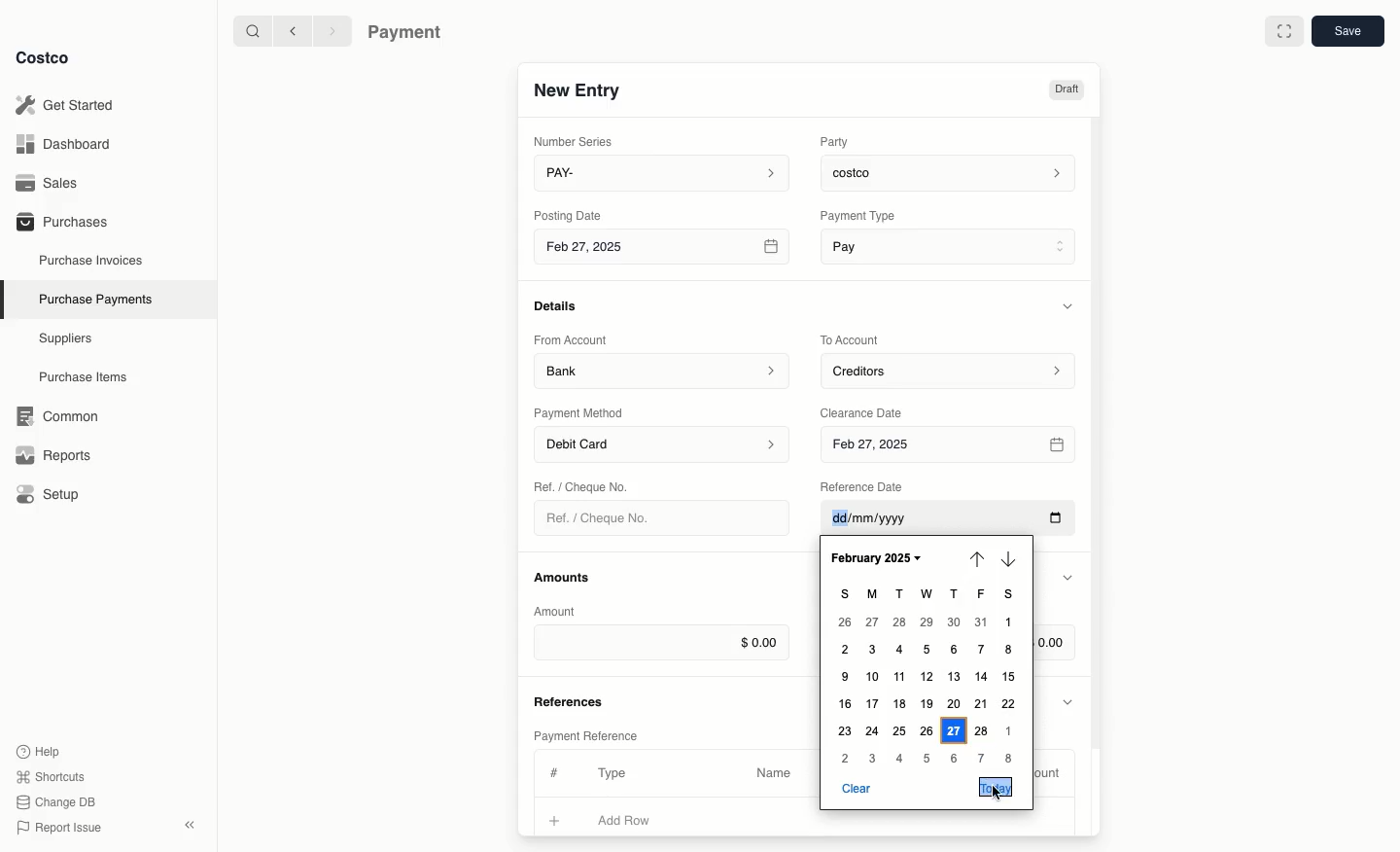  I want to click on Amount, so click(1052, 773).